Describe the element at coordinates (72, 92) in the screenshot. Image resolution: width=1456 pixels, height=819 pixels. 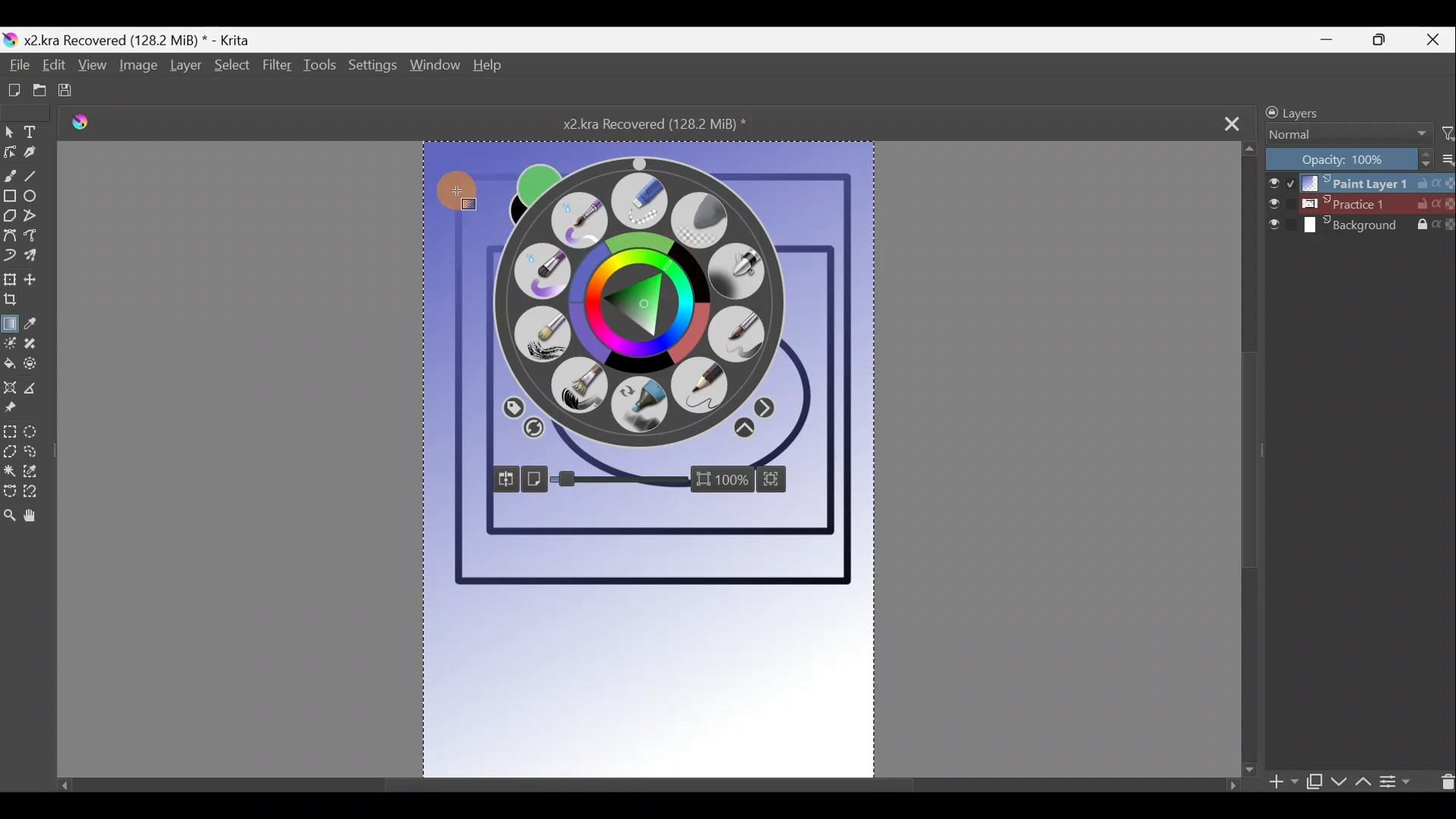
I see `Save` at that location.